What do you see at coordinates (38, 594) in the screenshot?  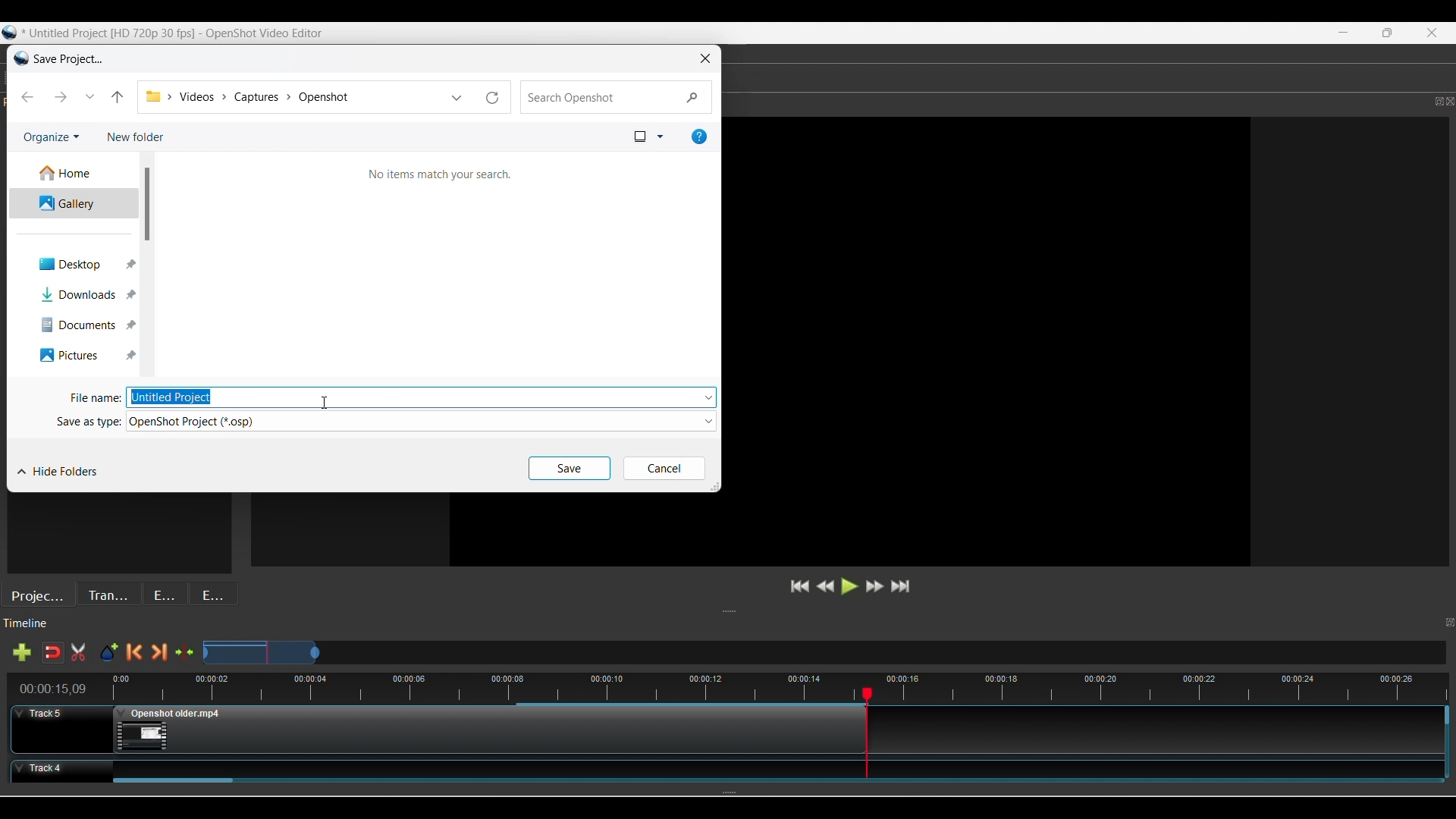 I see `Project files` at bounding box center [38, 594].